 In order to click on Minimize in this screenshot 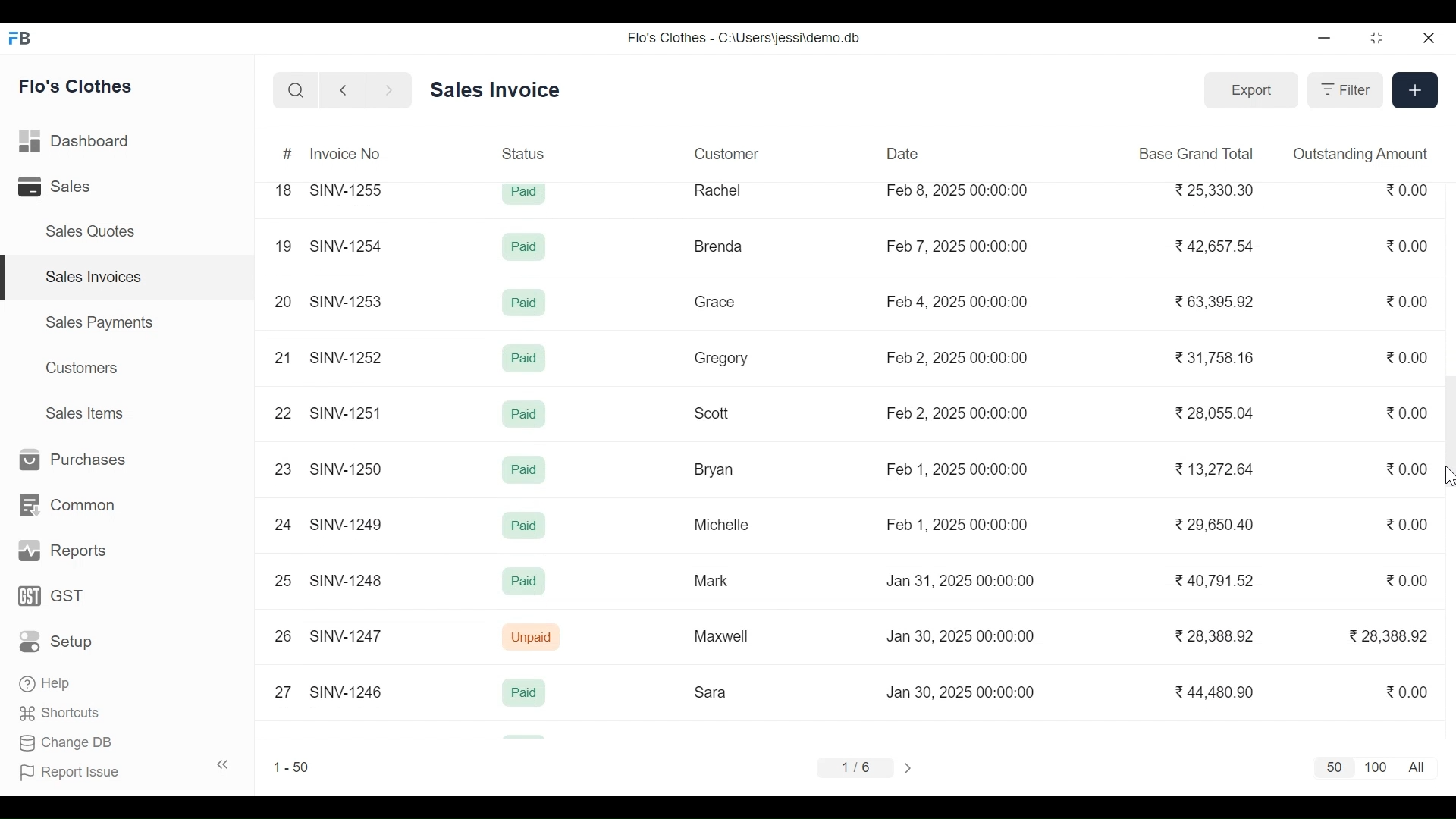, I will do `click(1324, 39)`.